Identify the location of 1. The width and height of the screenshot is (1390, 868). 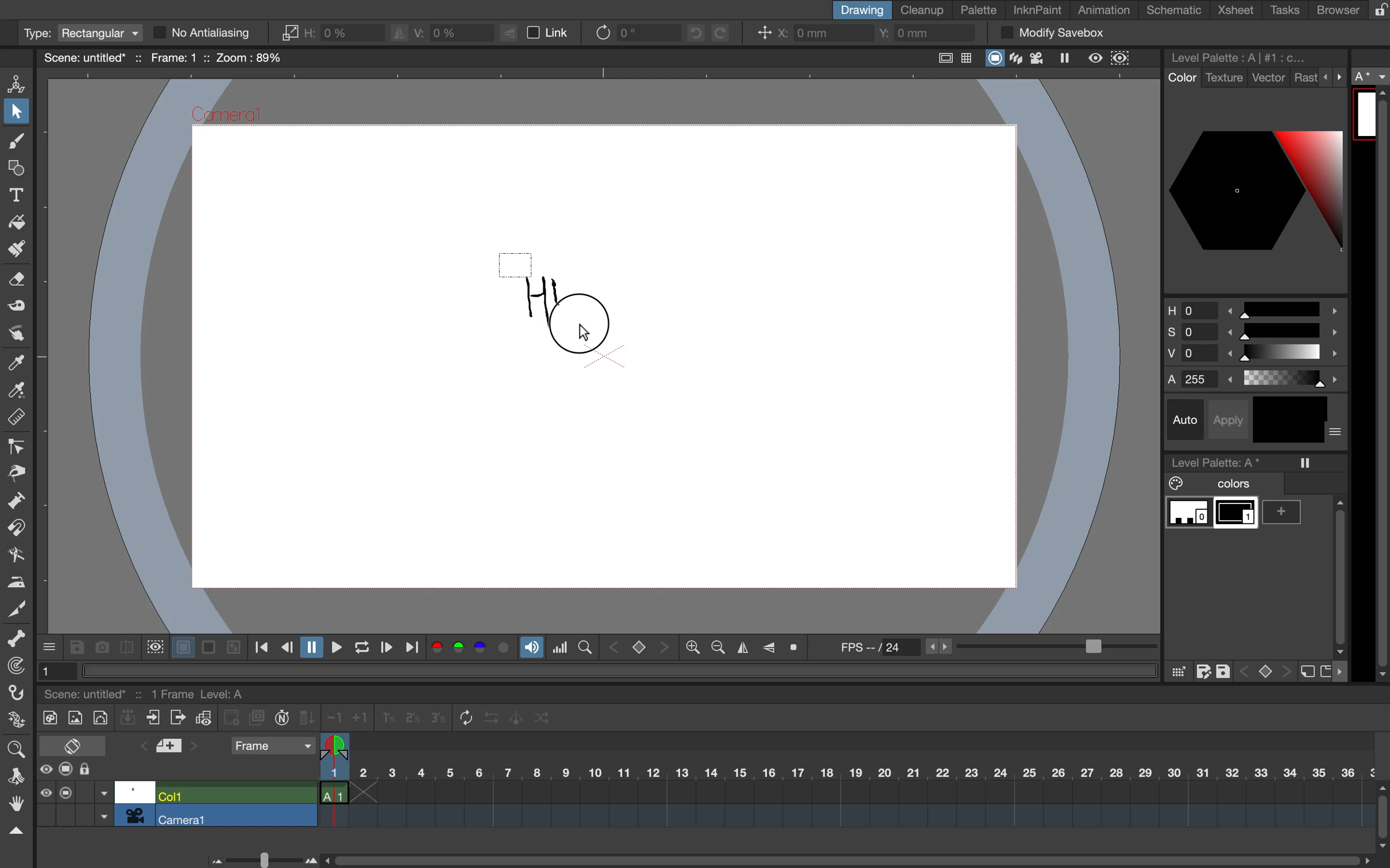
(53, 670).